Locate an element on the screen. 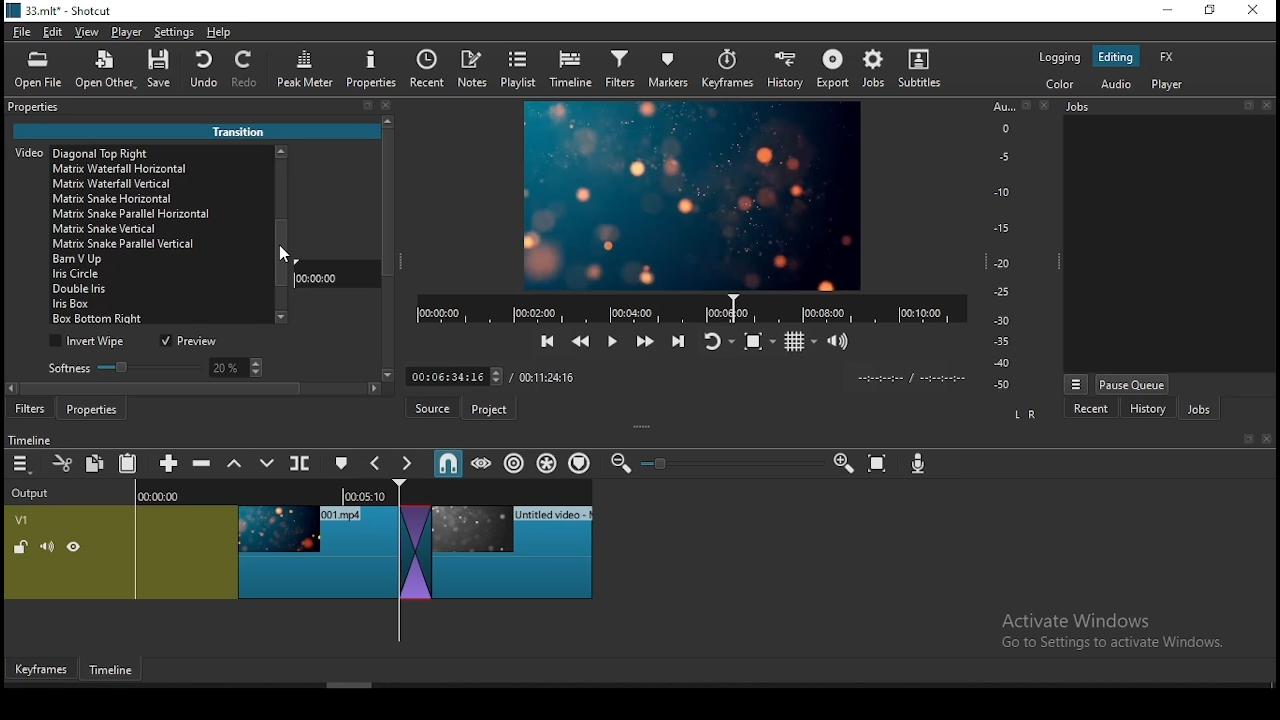   is located at coordinates (1043, 106).